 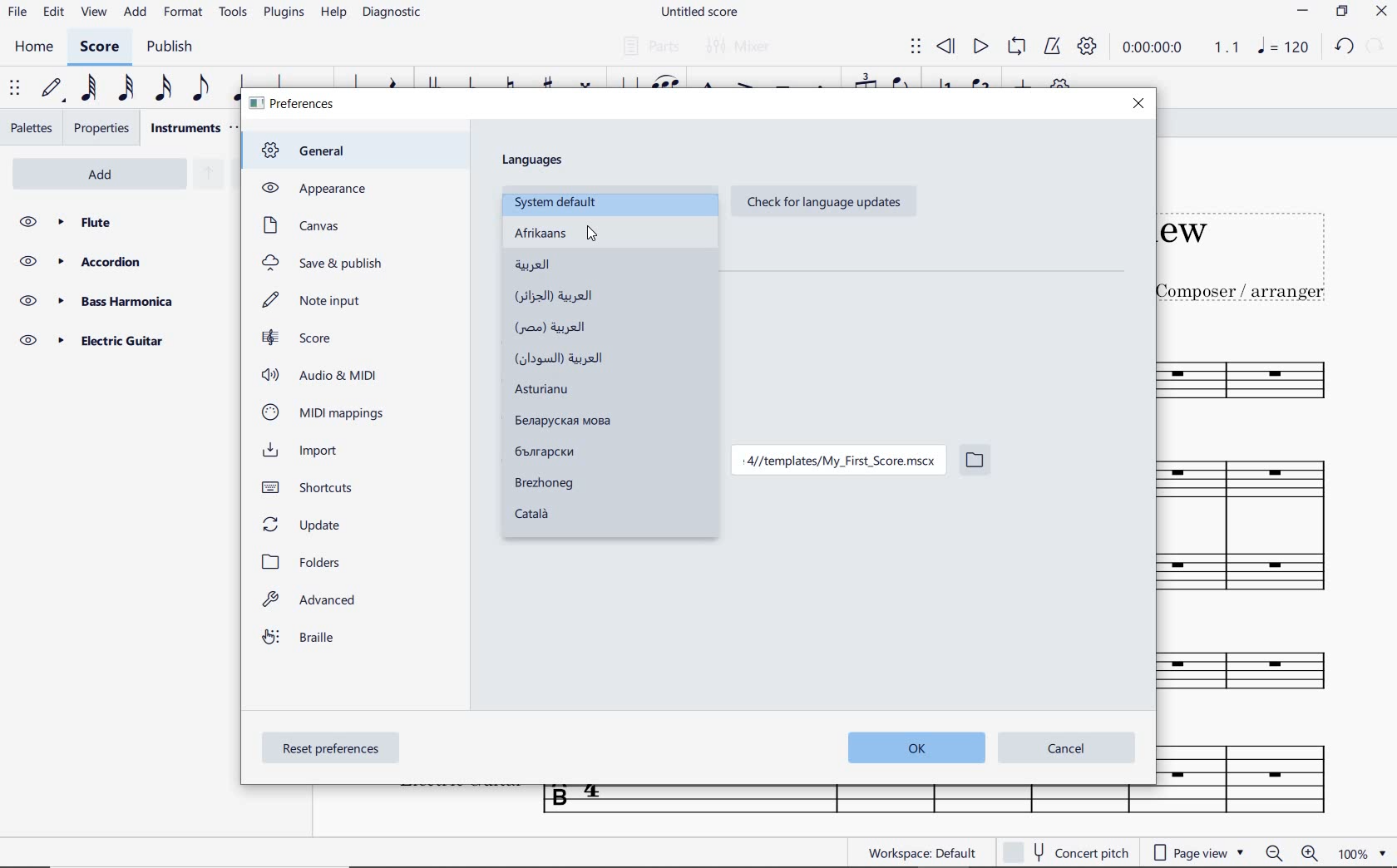 I want to click on Flute, so click(x=123, y=222).